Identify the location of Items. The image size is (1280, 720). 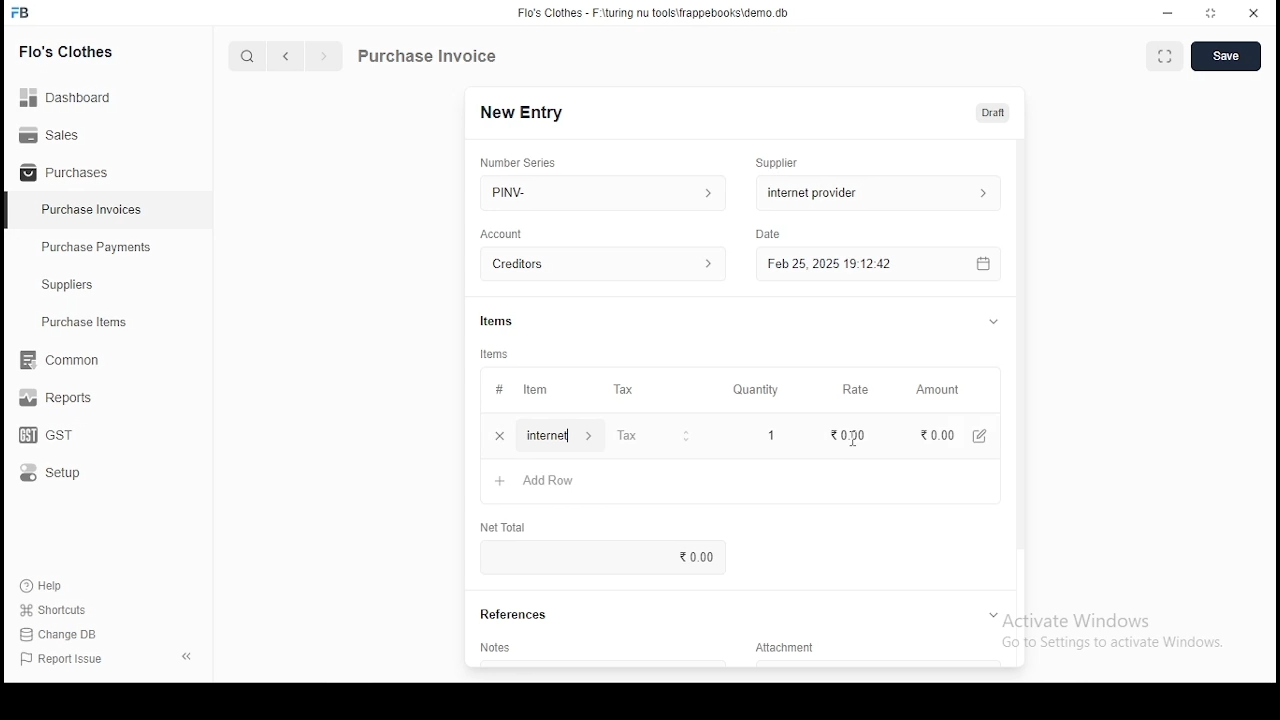
(495, 354).